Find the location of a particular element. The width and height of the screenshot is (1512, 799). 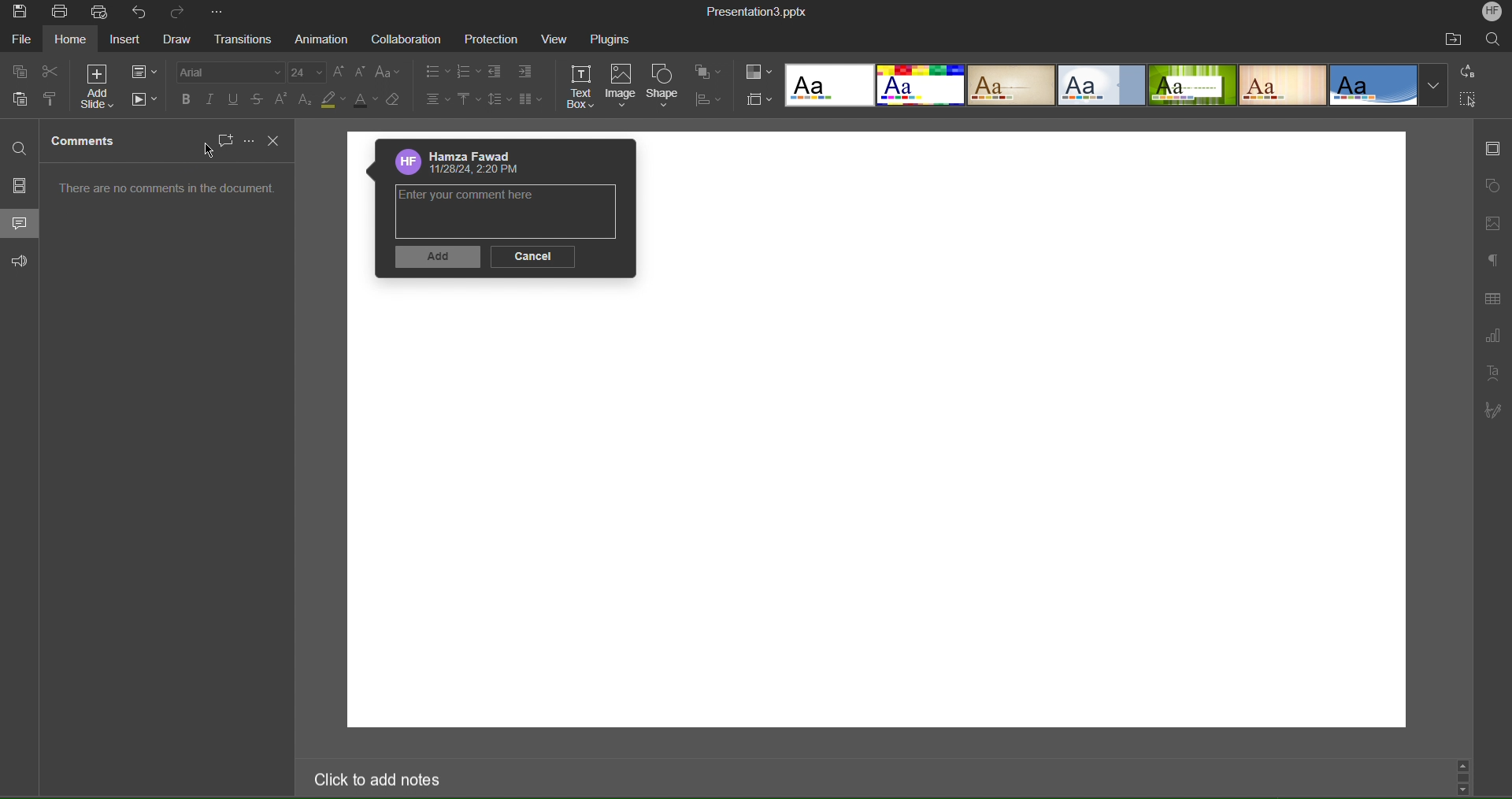

Account is located at coordinates (1490, 13).